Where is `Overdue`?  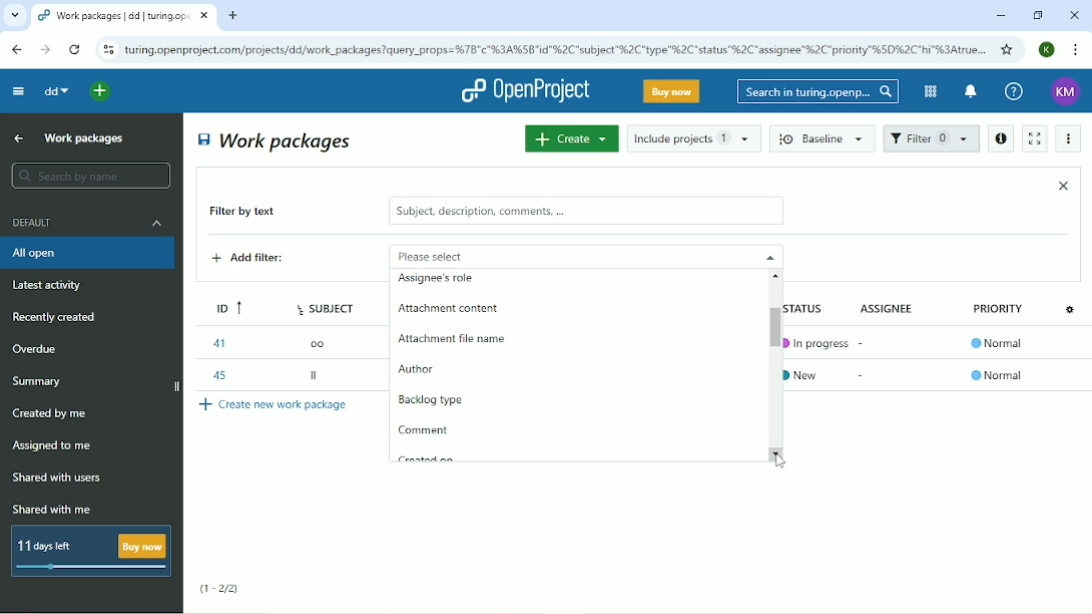 Overdue is located at coordinates (37, 350).